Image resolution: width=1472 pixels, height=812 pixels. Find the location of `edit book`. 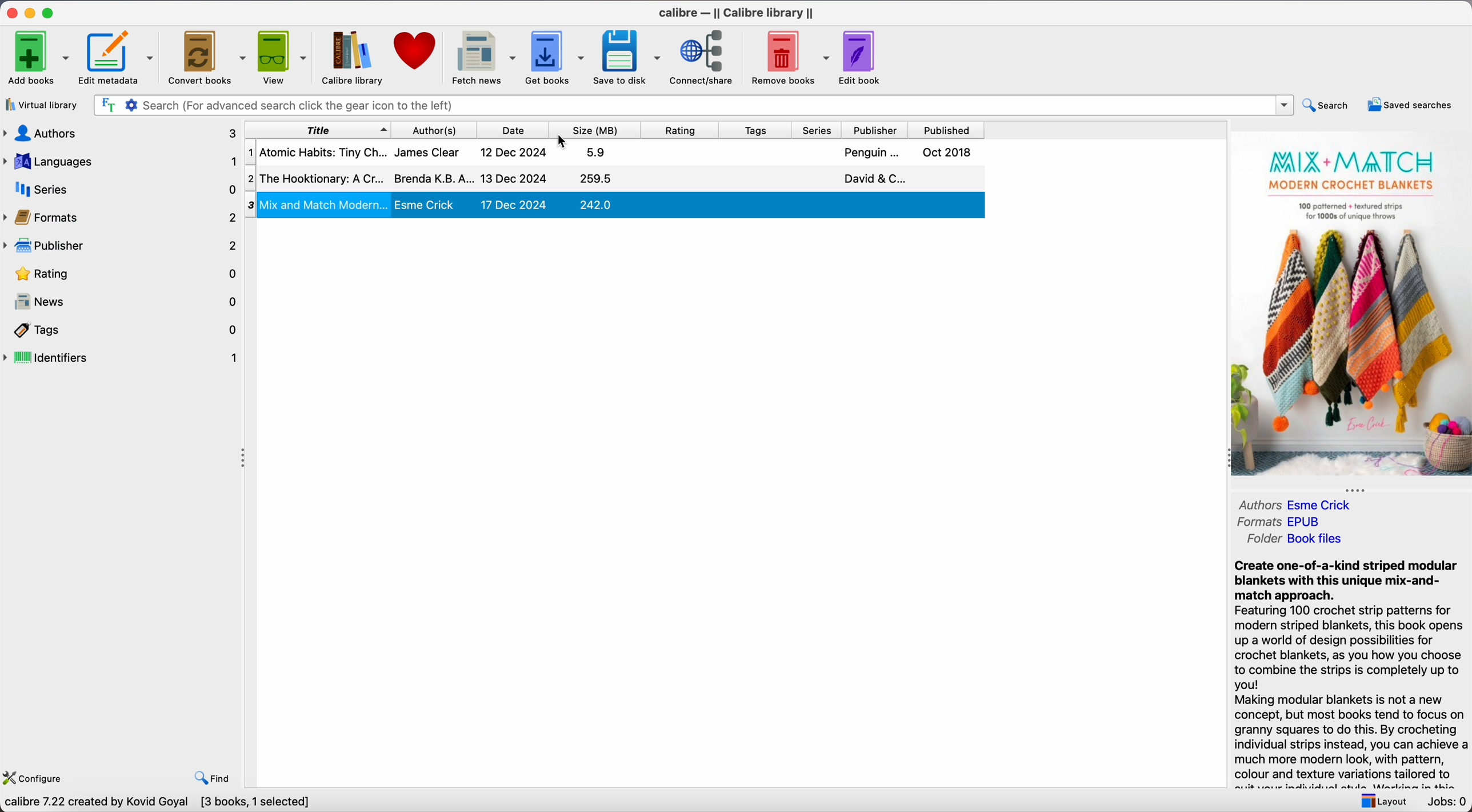

edit book is located at coordinates (864, 57).